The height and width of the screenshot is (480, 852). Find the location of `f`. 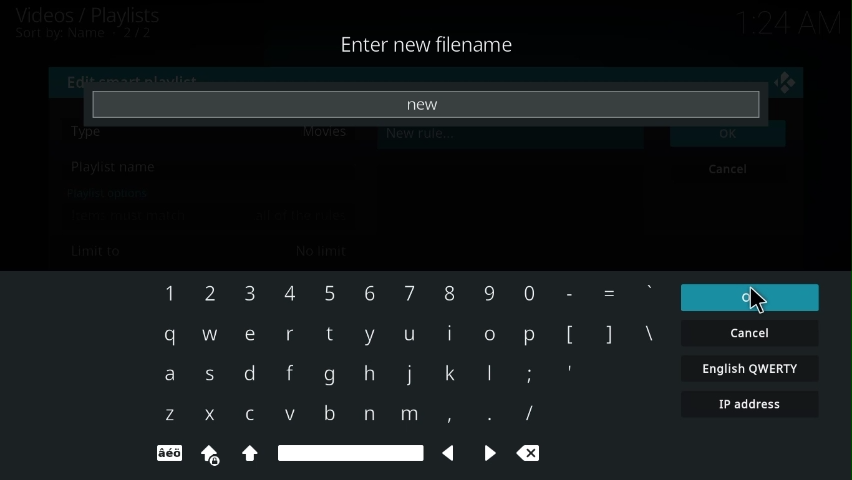

f is located at coordinates (290, 373).